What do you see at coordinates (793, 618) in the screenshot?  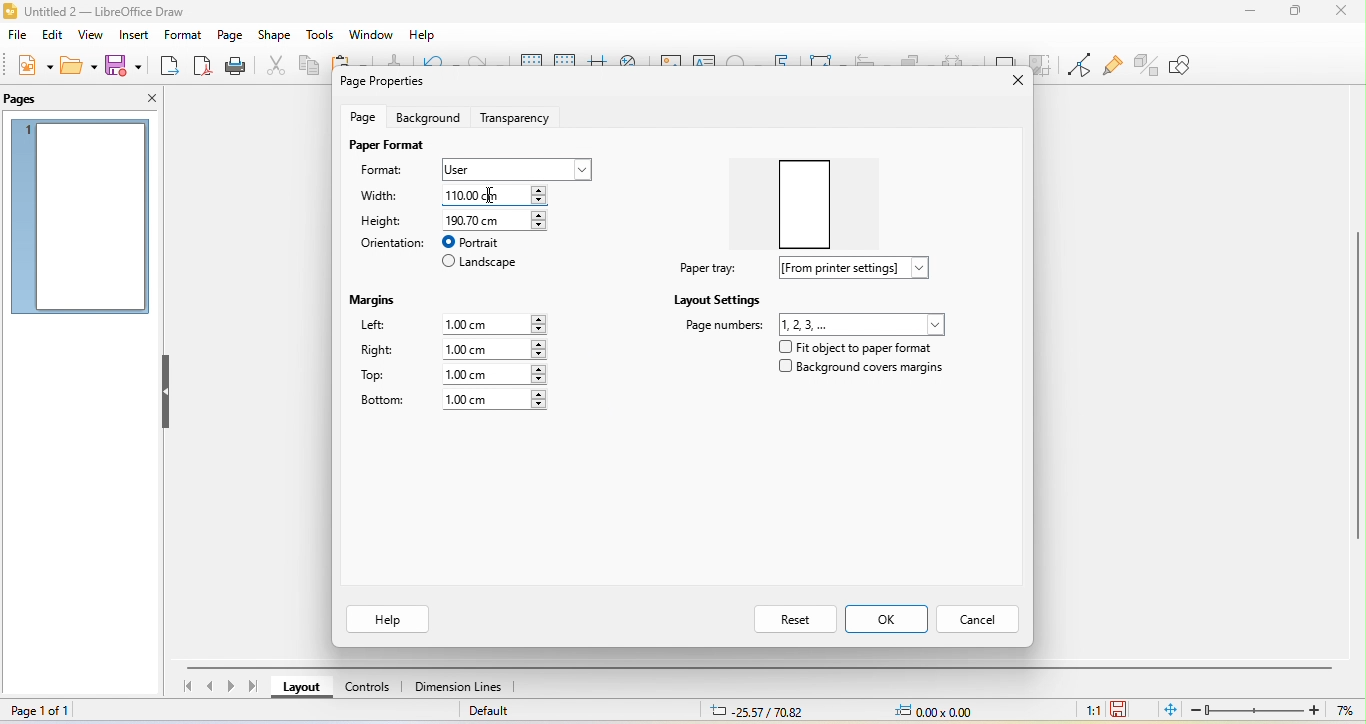 I see `reset` at bounding box center [793, 618].